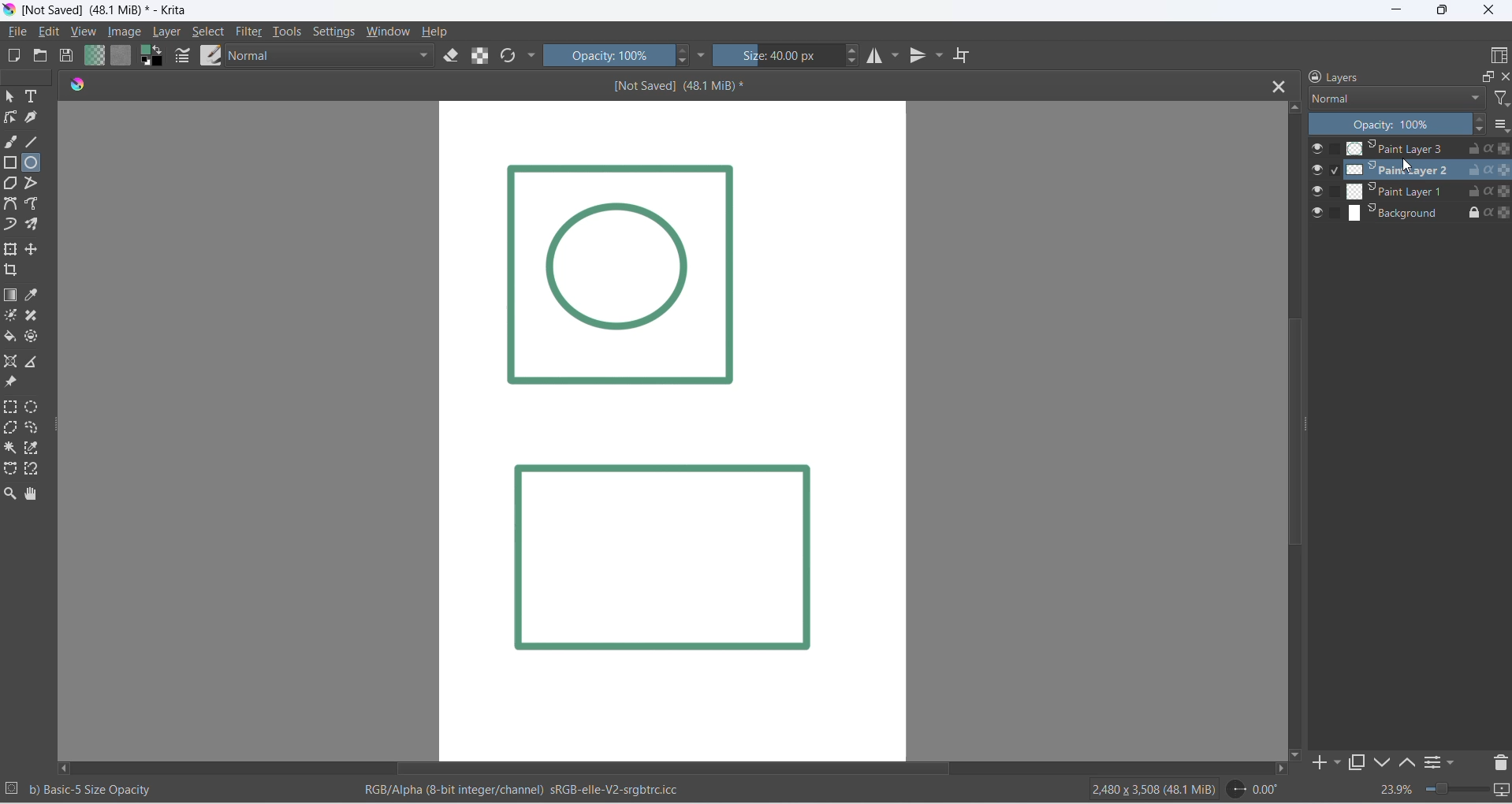 This screenshot has width=1512, height=804. Describe the element at coordinates (65, 769) in the screenshot. I see `move left` at that location.